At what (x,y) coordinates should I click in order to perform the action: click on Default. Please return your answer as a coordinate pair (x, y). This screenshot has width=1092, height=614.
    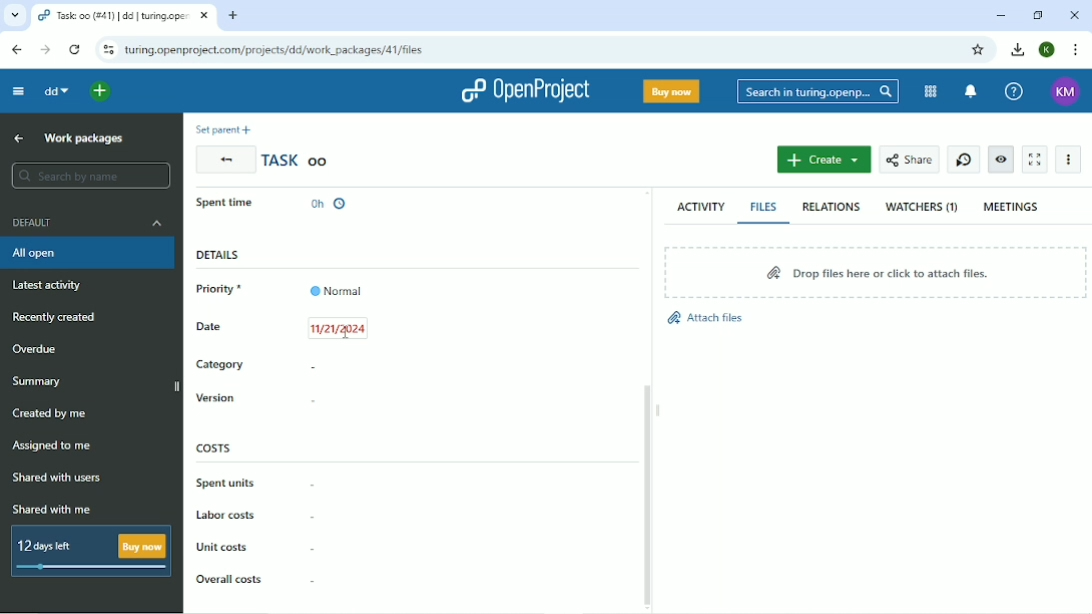
    Looking at the image, I should click on (87, 223).